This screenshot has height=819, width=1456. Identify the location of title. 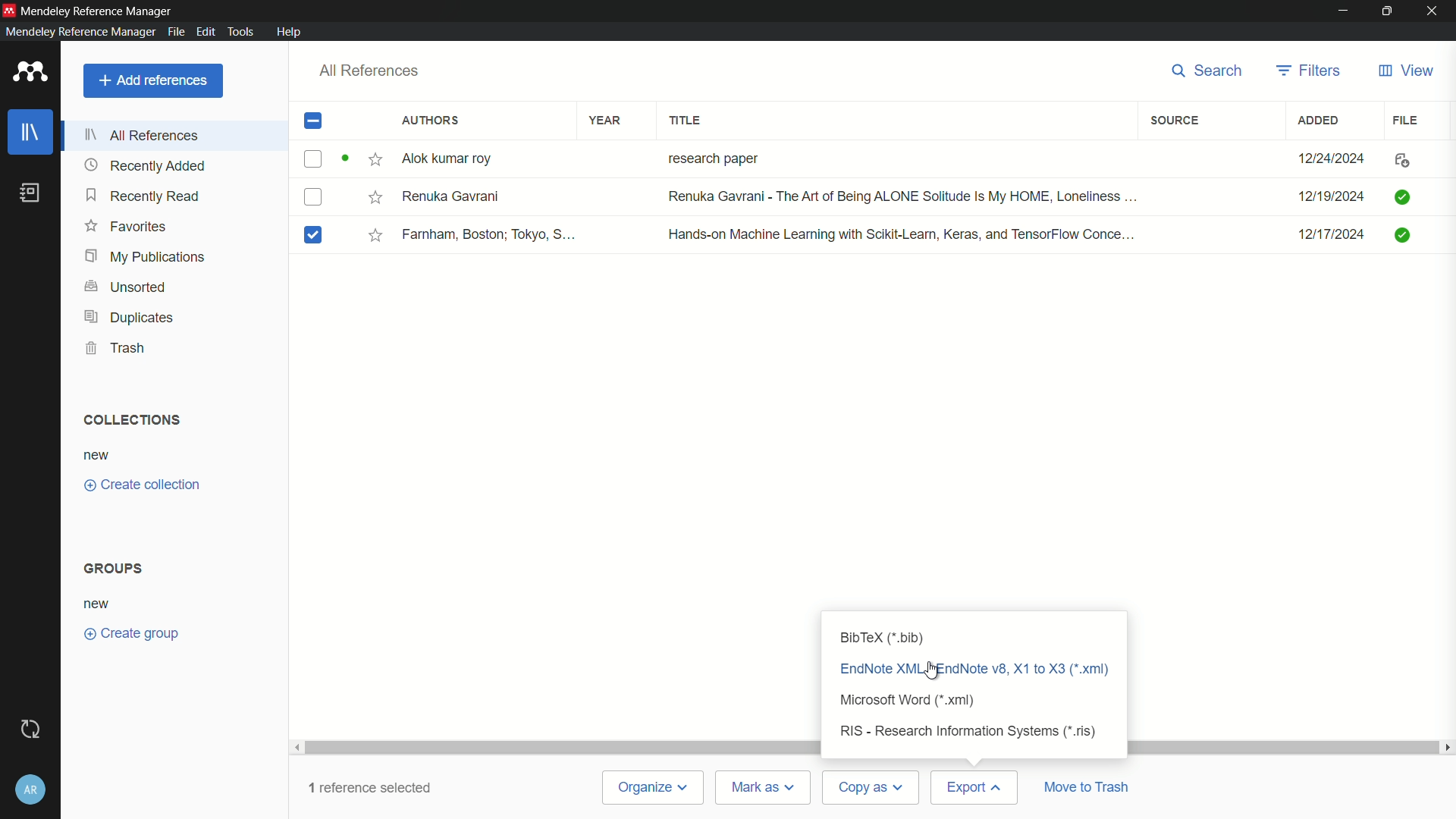
(689, 121).